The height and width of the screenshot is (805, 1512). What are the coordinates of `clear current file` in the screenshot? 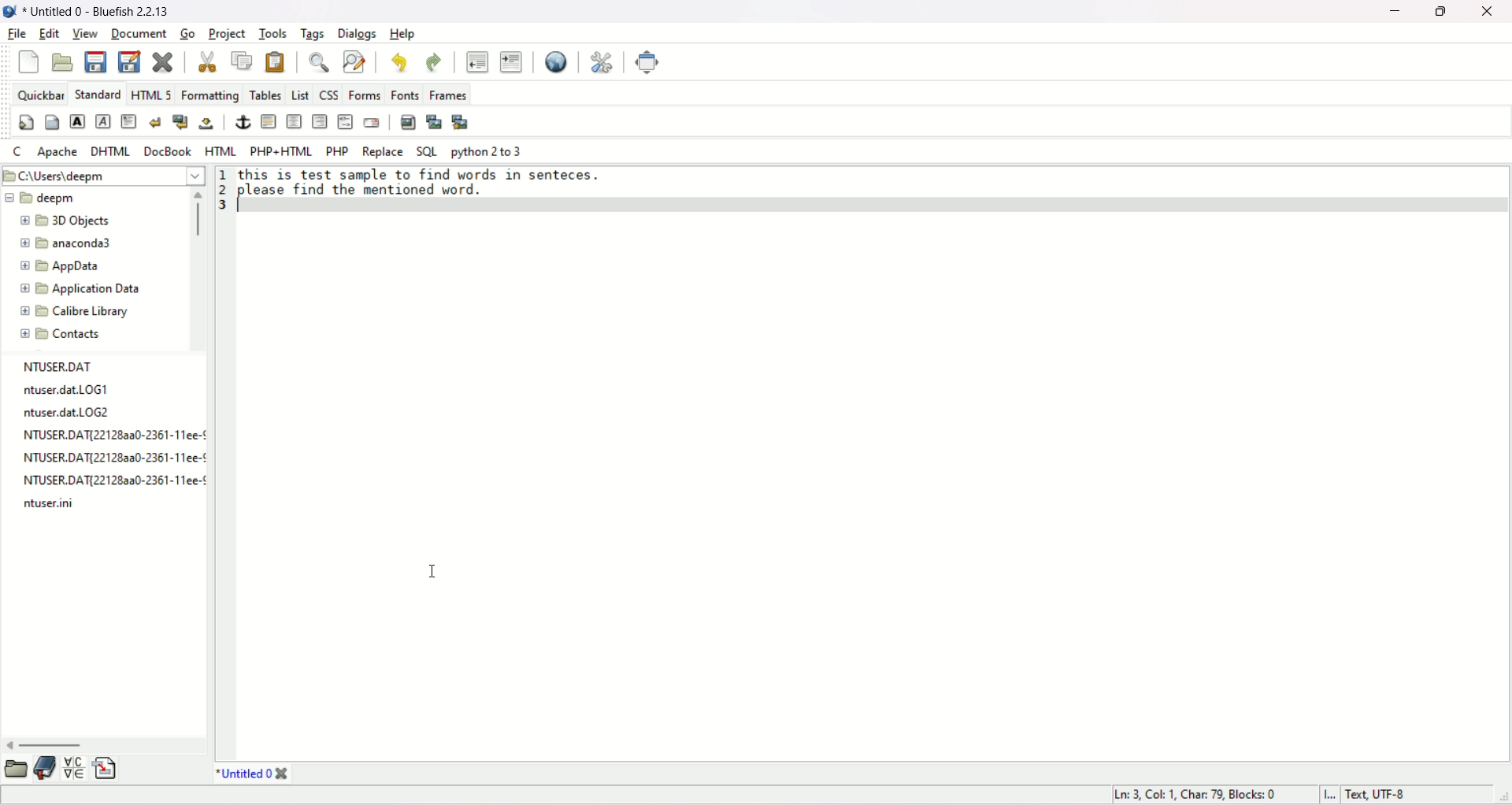 It's located at (163, 61).